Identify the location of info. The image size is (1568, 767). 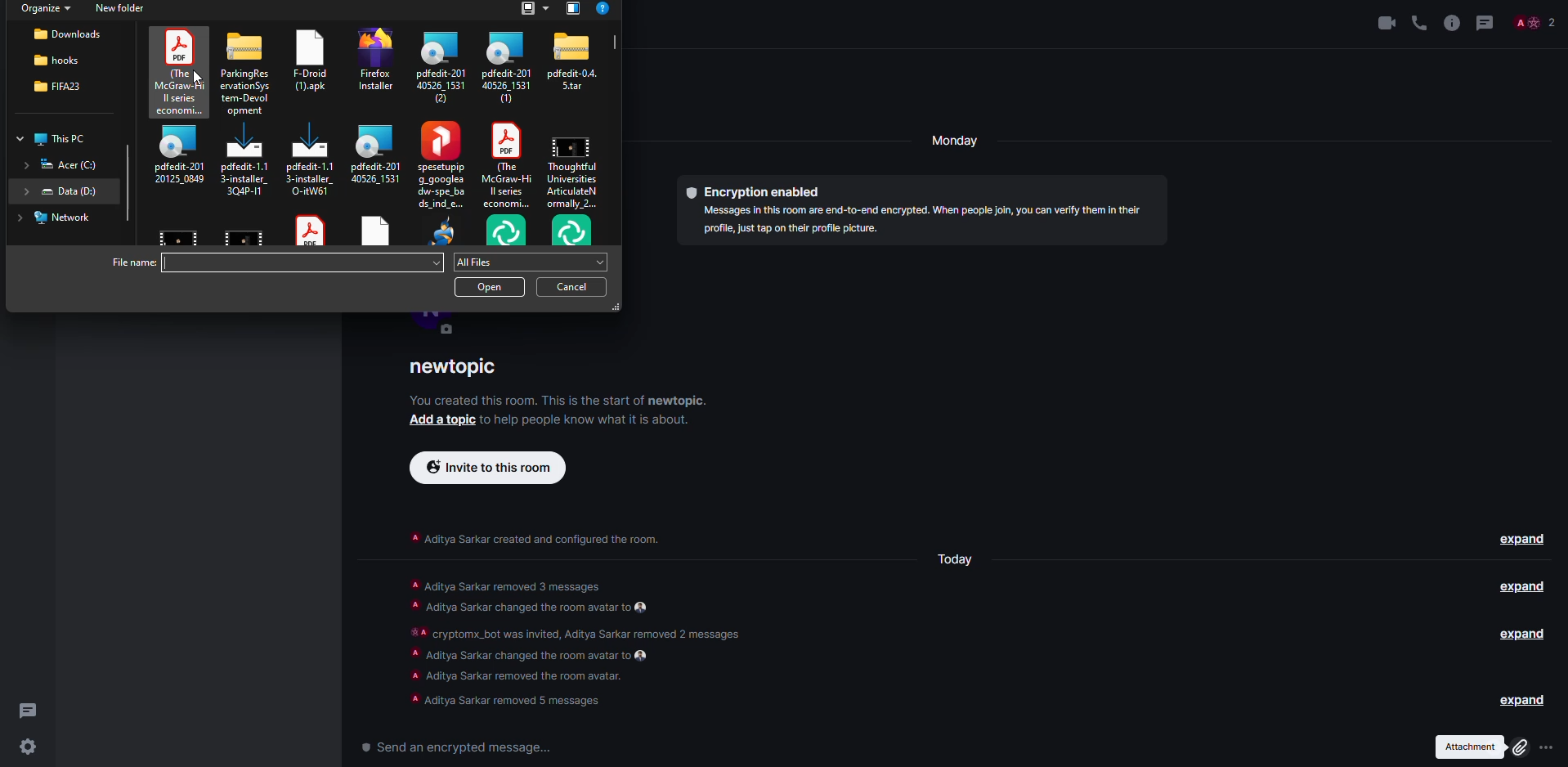
(585, 637).